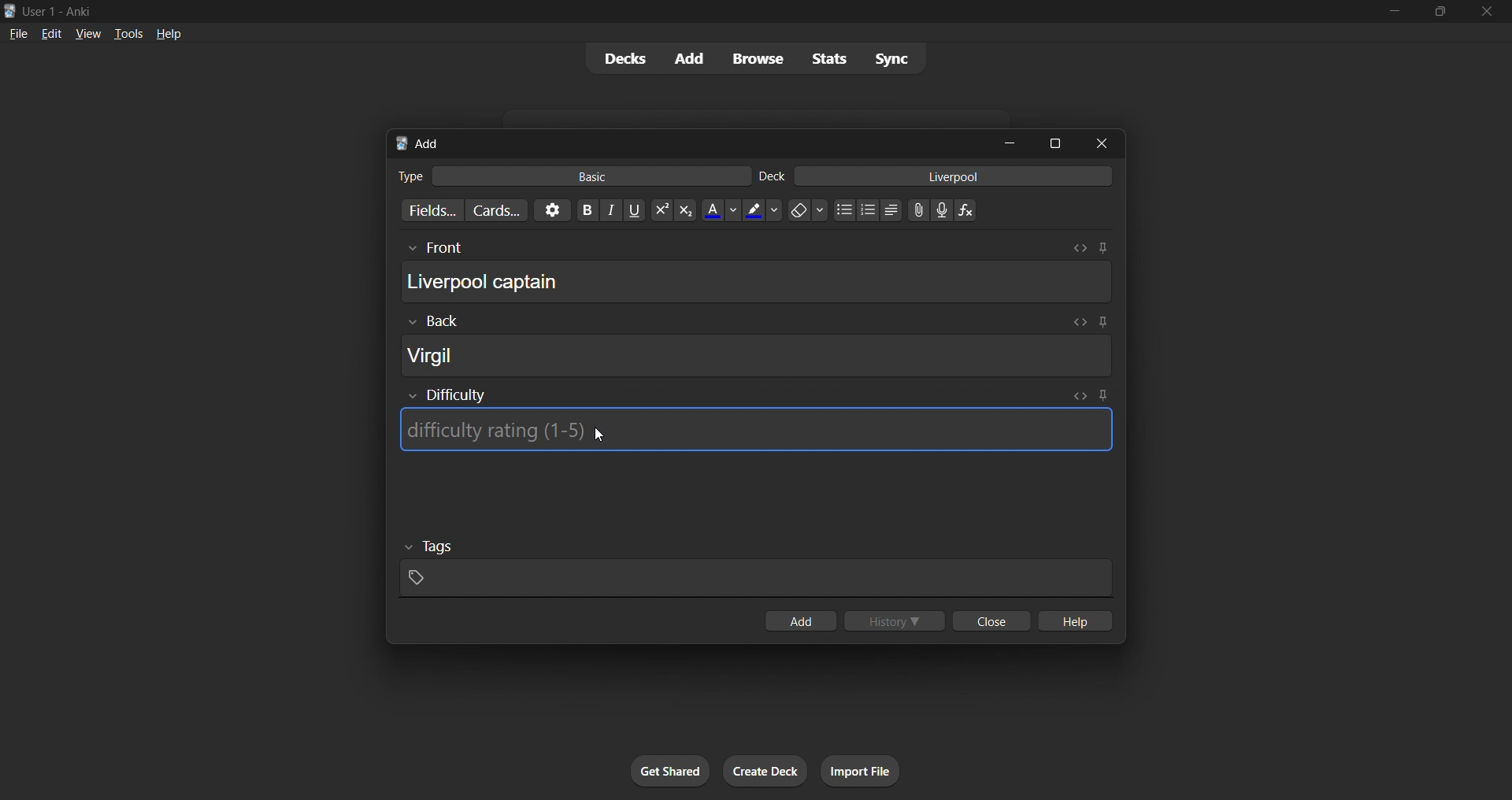 This screenshot has height=800, width=1512. What do you see at coordinates (765, 771) in the screenshot?
I see `create deck` at bounding box center [765, 771].